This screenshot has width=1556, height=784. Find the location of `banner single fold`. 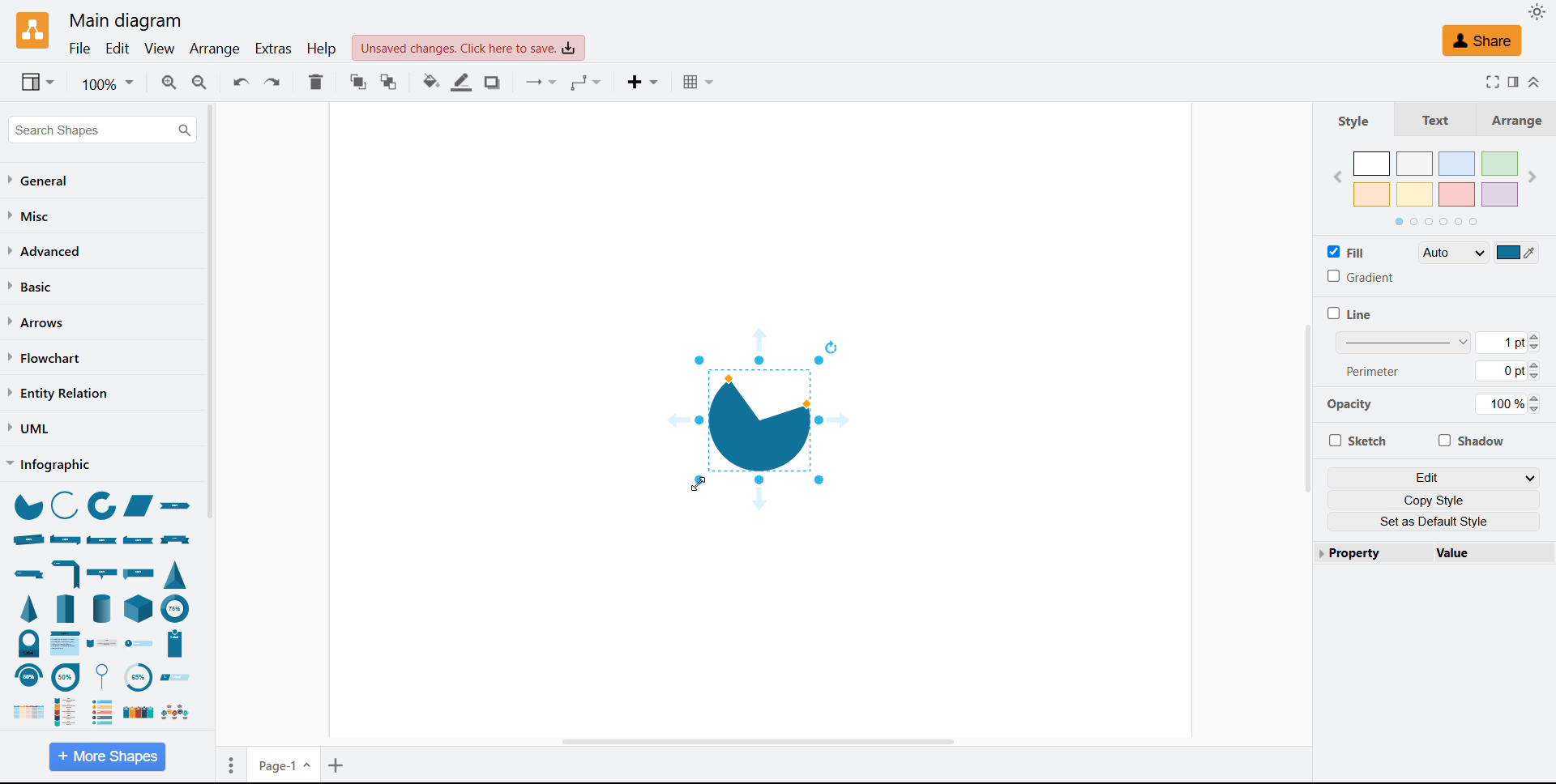

banner single fold is located at coordinates (28, 574).